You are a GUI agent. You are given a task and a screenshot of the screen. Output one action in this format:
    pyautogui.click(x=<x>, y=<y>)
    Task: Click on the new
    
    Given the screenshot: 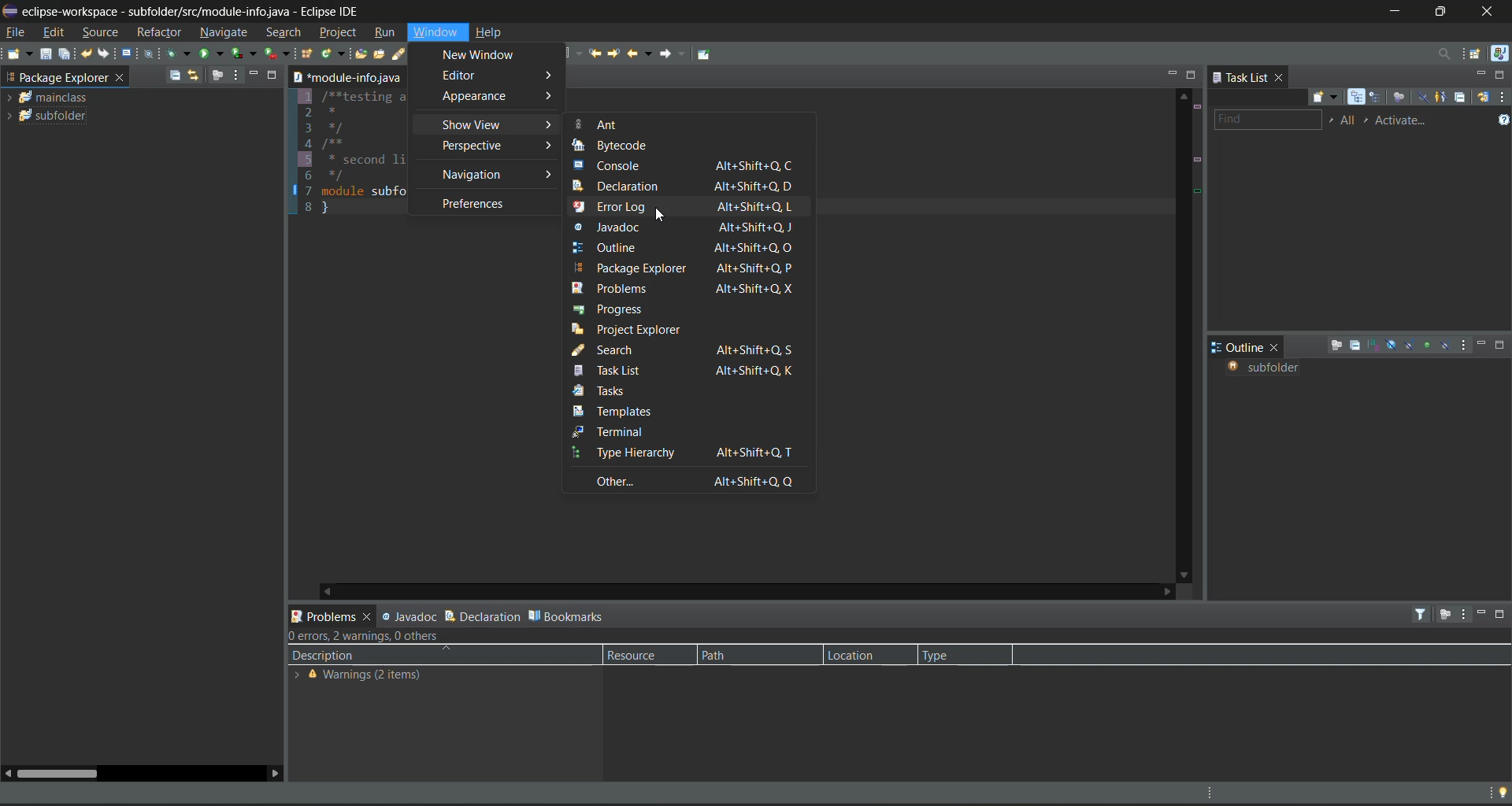 What is the action you would take?
    pyautogui.click(x=19, y=54)
    